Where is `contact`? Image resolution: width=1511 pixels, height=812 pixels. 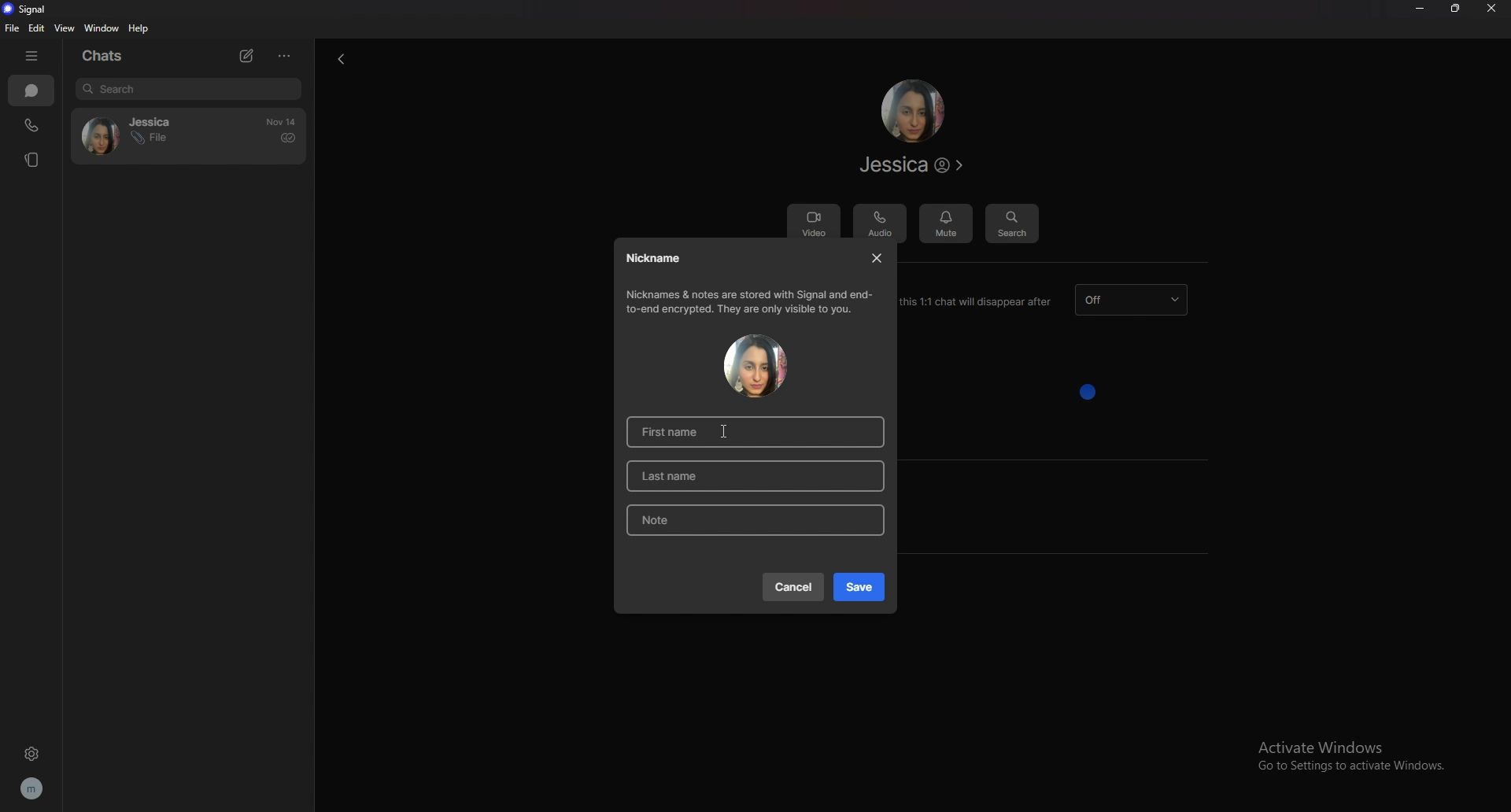 contact is located at coordinates (136, 134).